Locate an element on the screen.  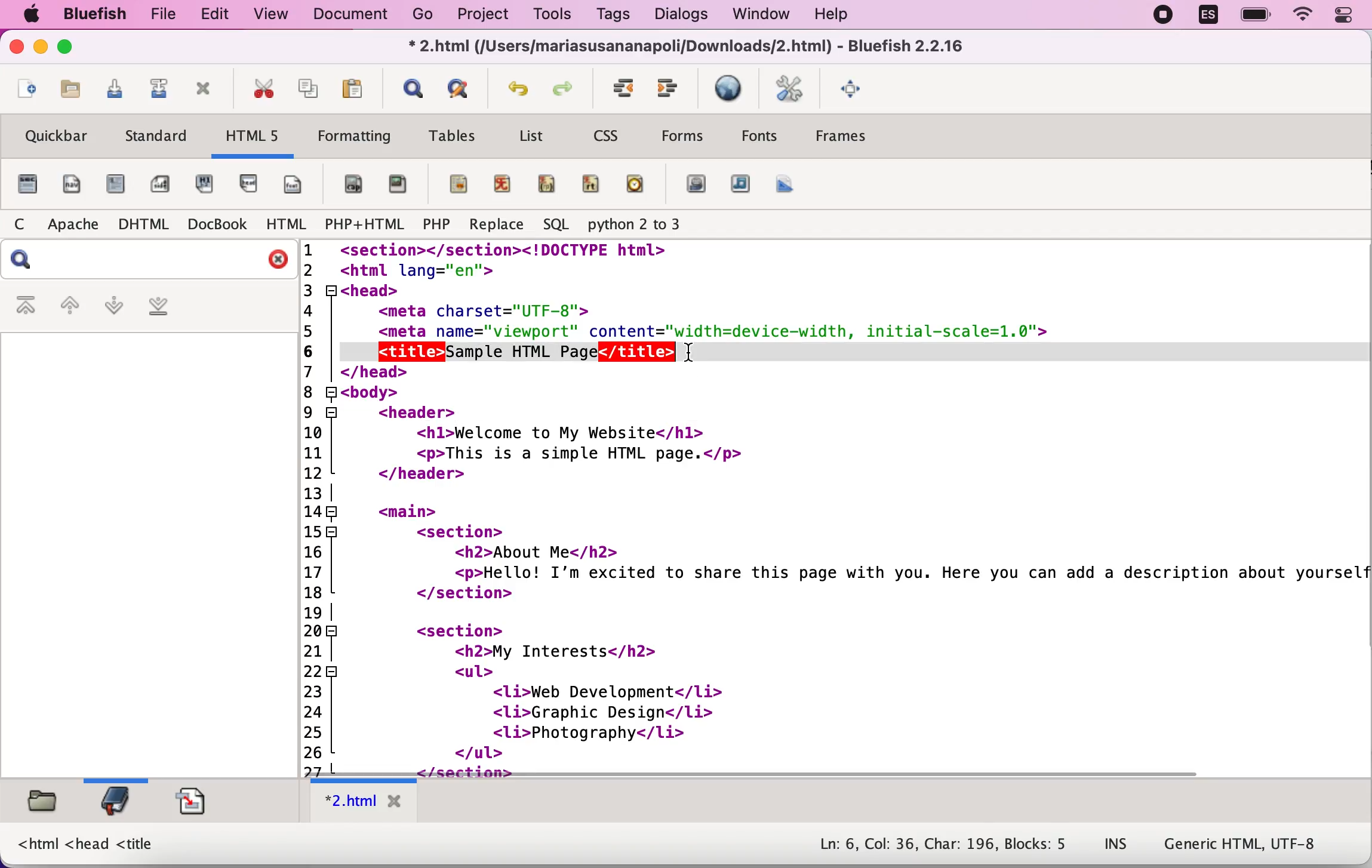
standard is located at coordinates (159, 137).